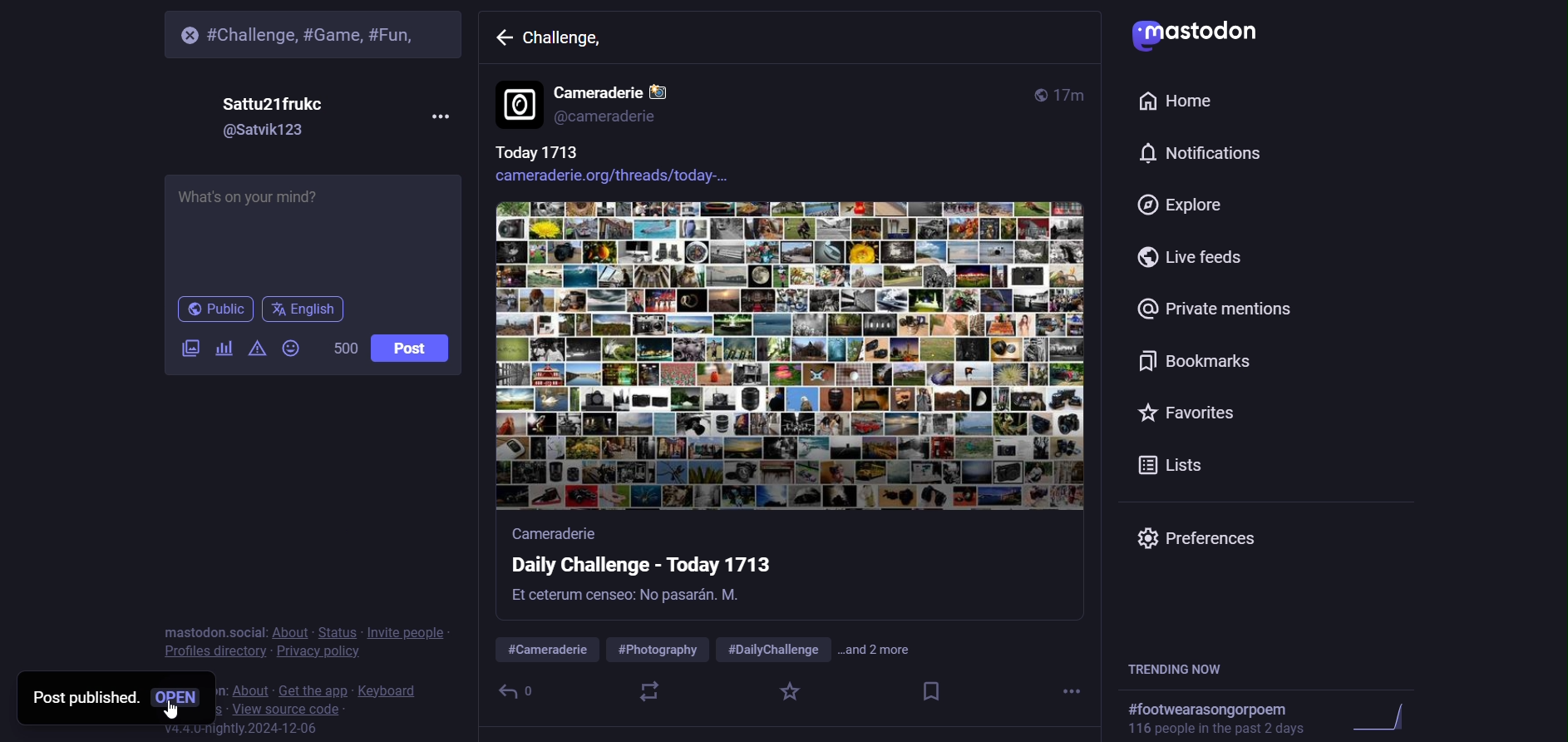 The image size is (1568, 742). I want to click on live feed, so click(1196, 258).